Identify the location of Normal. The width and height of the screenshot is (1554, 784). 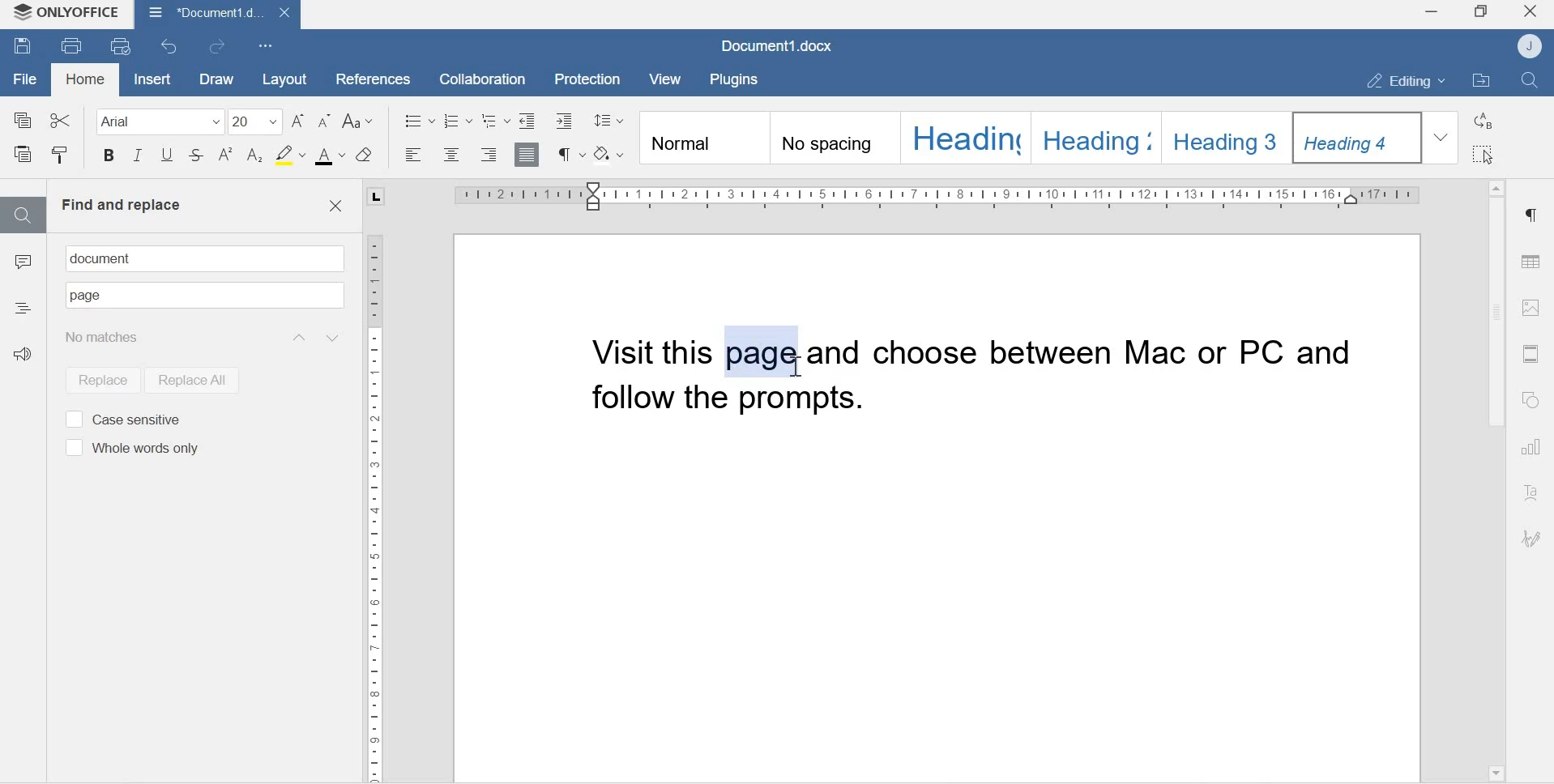
(702, 139).